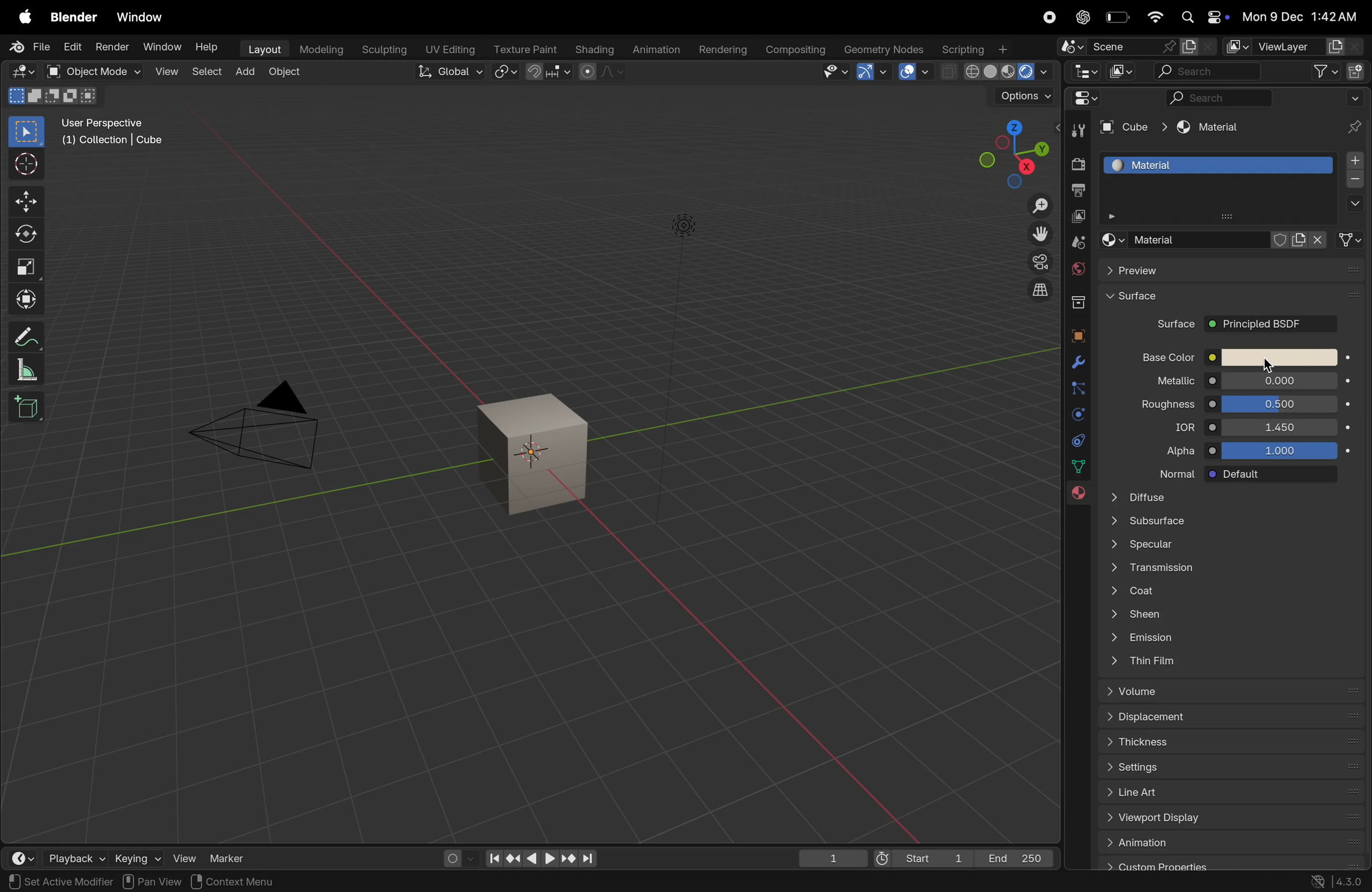 Image resolution: width=1372 pixels, height=892 pixels. Describe the element at coordinates (1174, 325) in the screenshot. I see `Surface` at that location.